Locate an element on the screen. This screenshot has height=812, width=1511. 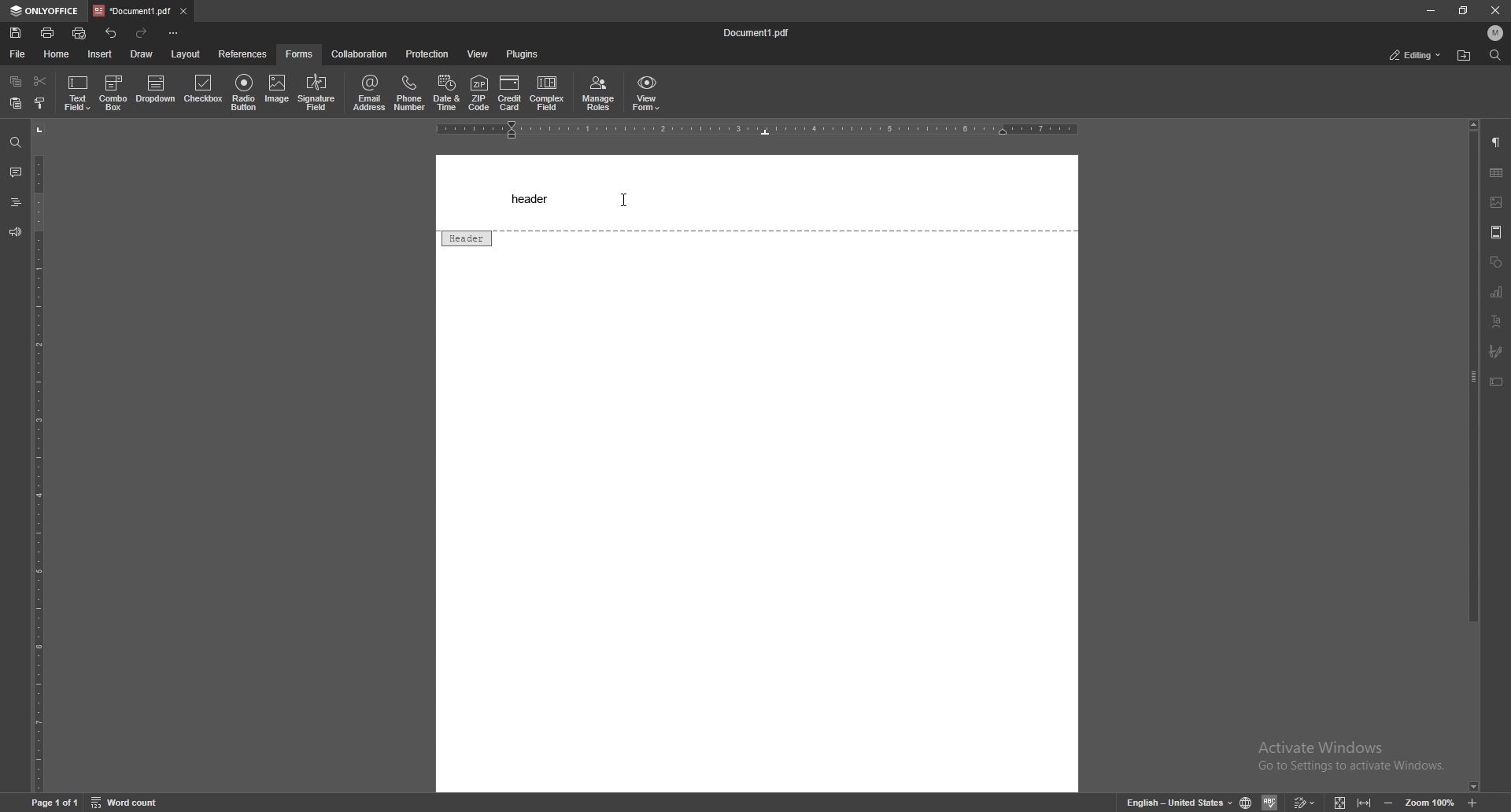
signature field is located at coordinates (1496, 352).